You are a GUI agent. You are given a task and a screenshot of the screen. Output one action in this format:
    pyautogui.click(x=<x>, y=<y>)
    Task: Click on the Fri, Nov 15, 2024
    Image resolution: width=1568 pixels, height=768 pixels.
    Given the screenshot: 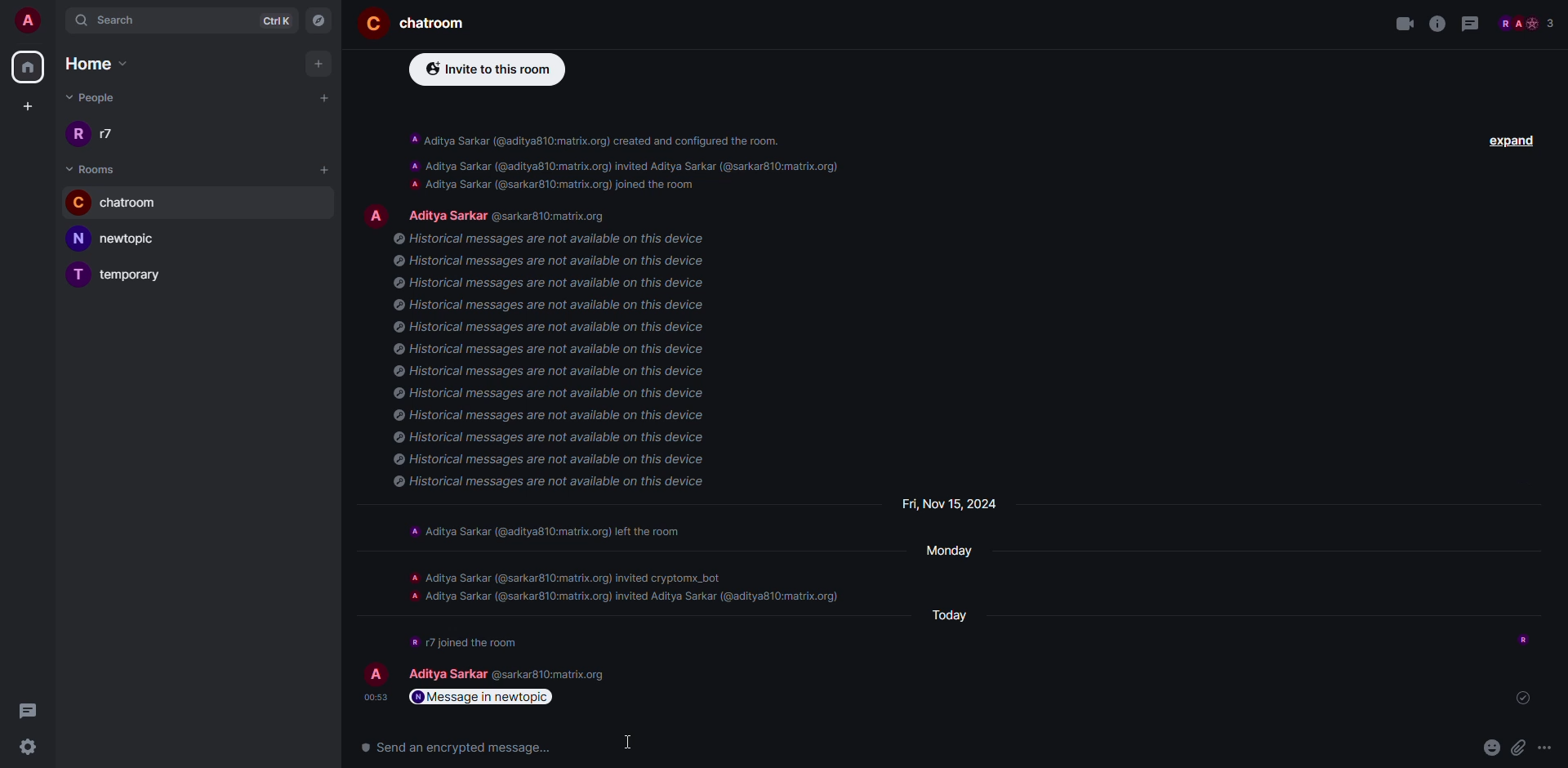 What is the action you would take?
    pyautogui.click(x=951, y=505)
    